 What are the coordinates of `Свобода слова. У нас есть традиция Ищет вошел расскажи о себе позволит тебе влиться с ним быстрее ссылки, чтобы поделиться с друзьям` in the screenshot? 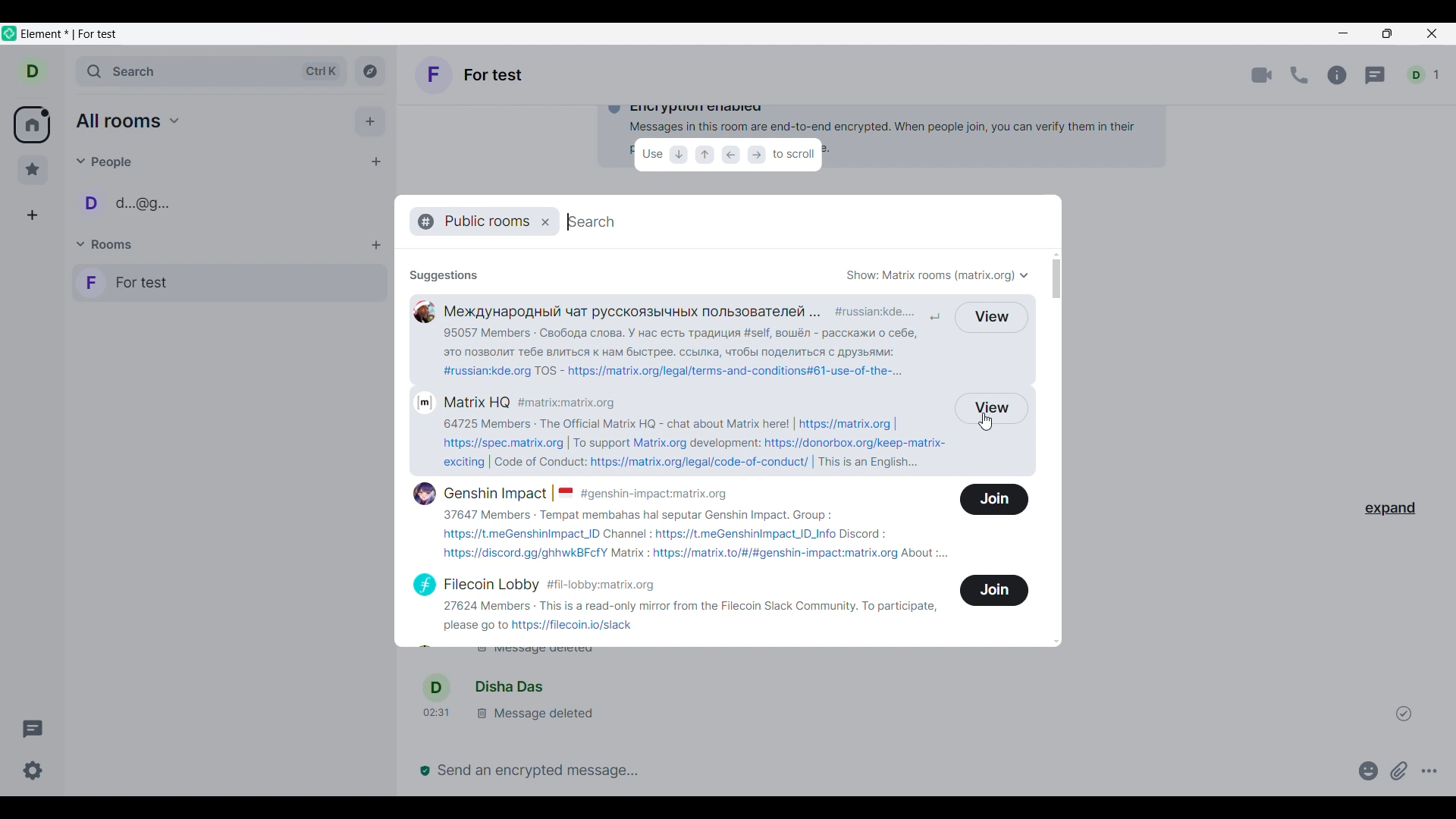 It's located at (689, 344).